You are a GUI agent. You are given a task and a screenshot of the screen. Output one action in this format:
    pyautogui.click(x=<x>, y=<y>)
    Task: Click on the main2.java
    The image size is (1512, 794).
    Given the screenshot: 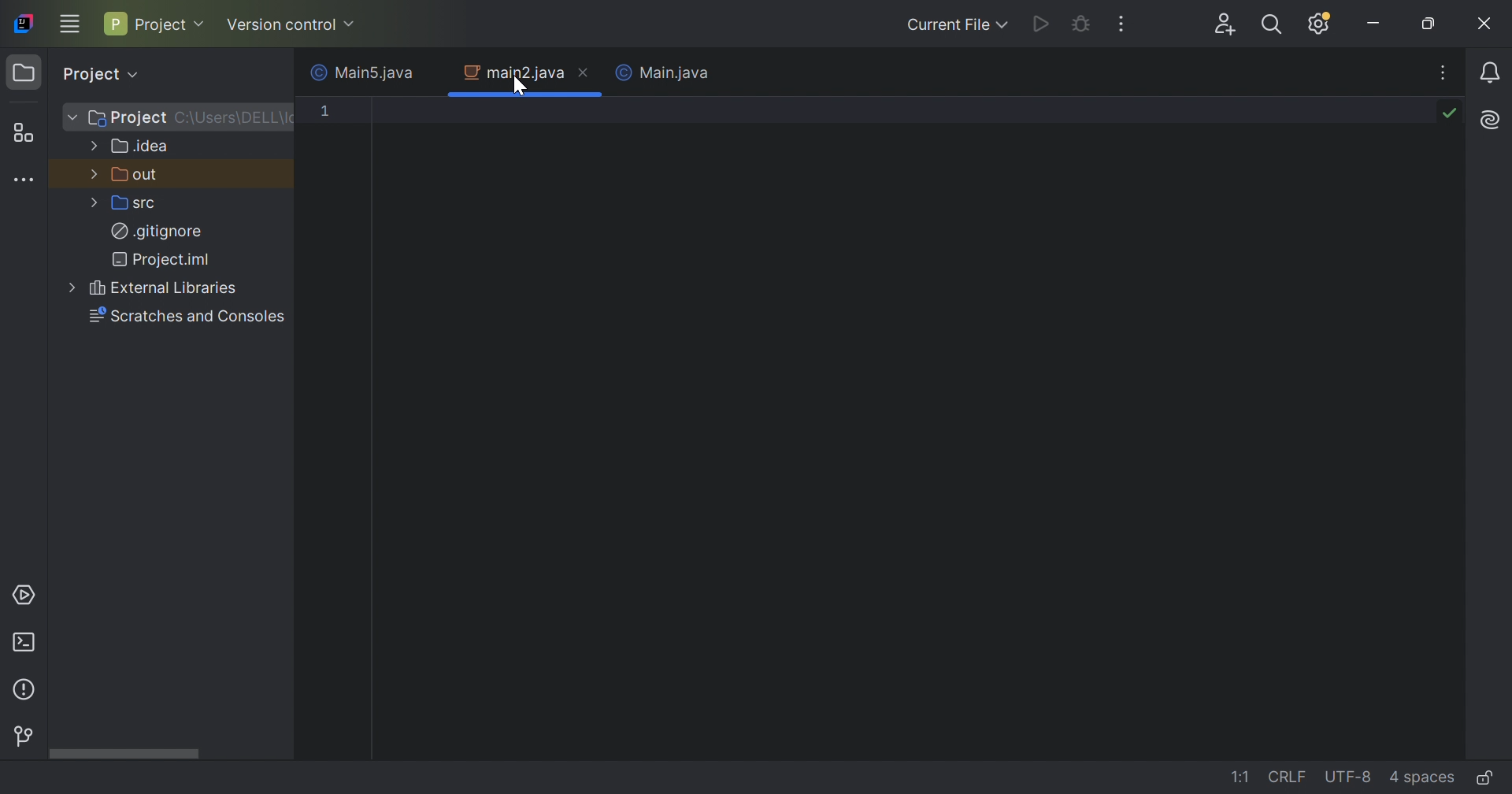 What is the action you would take?
    pyautogui.click(x=508, y=72)
    